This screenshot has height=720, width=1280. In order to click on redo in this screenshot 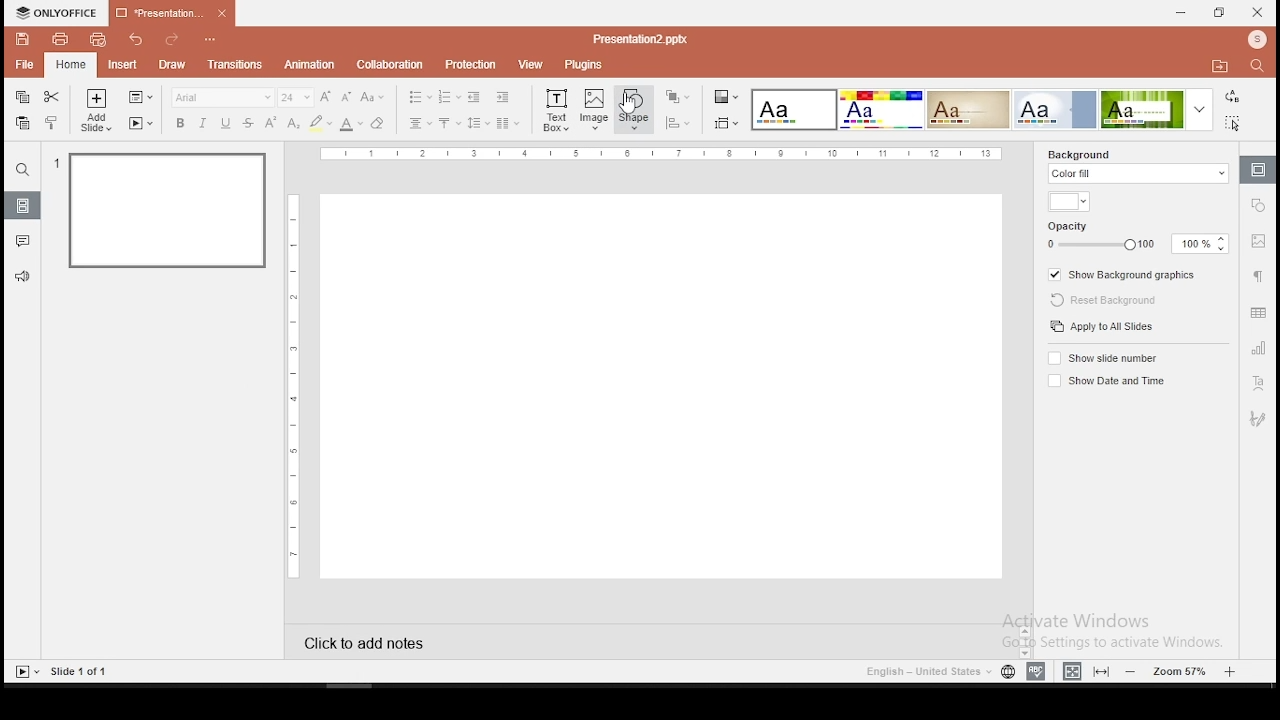, I will do `click(171, 41)`.